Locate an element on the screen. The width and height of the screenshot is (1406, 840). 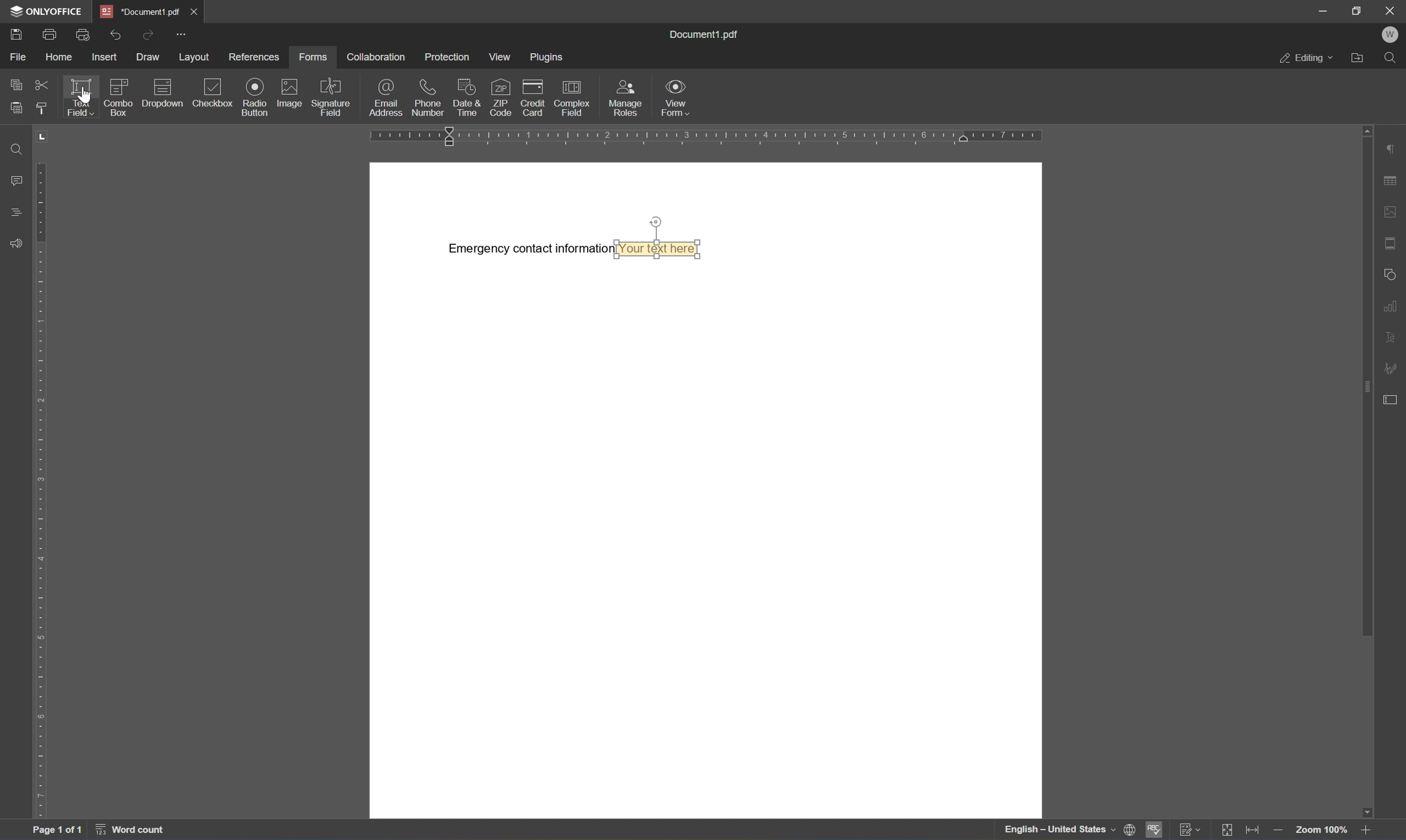
phone number is located at coordinates (428, 98).